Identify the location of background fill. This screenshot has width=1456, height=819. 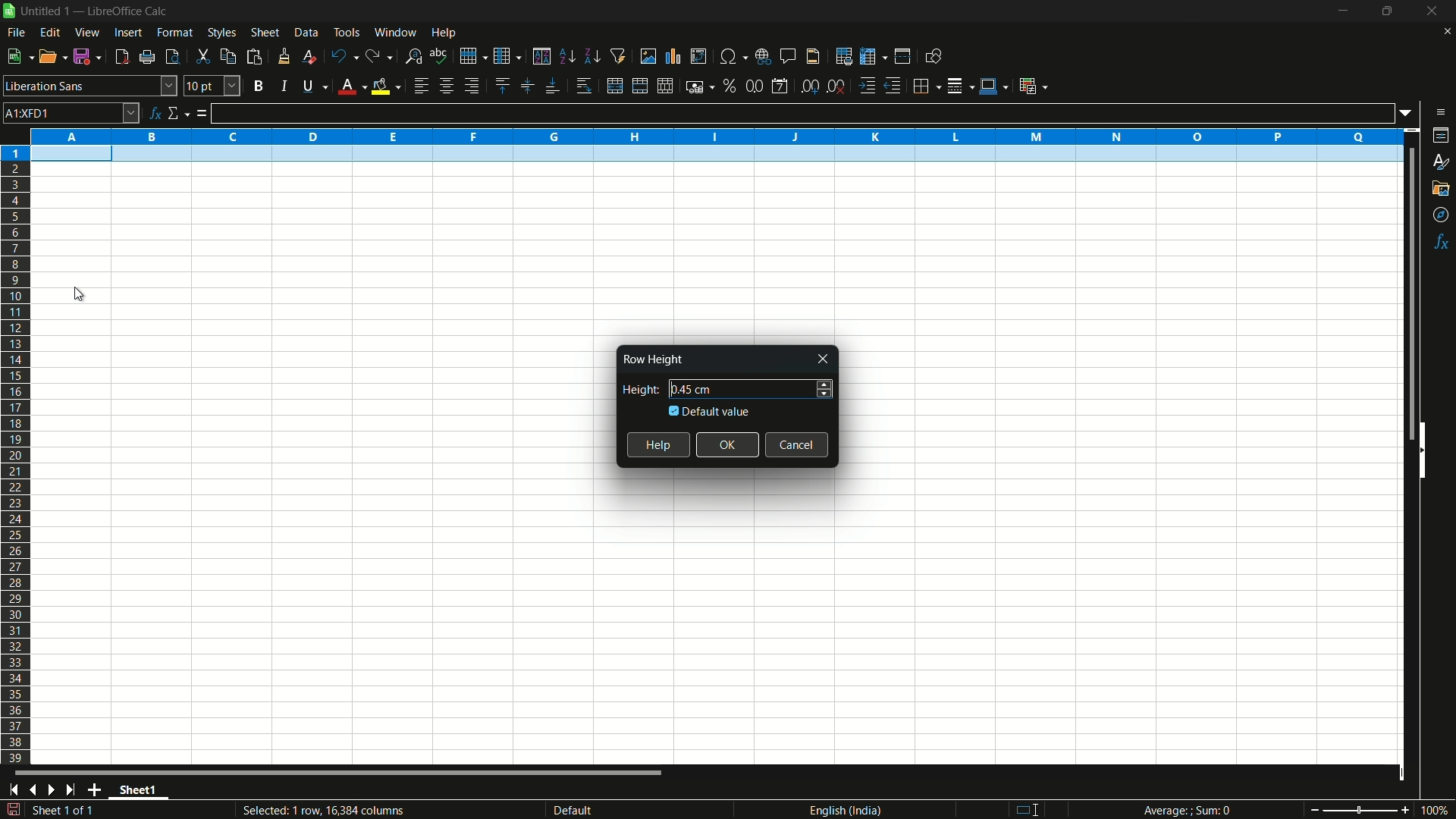
(385, 86).